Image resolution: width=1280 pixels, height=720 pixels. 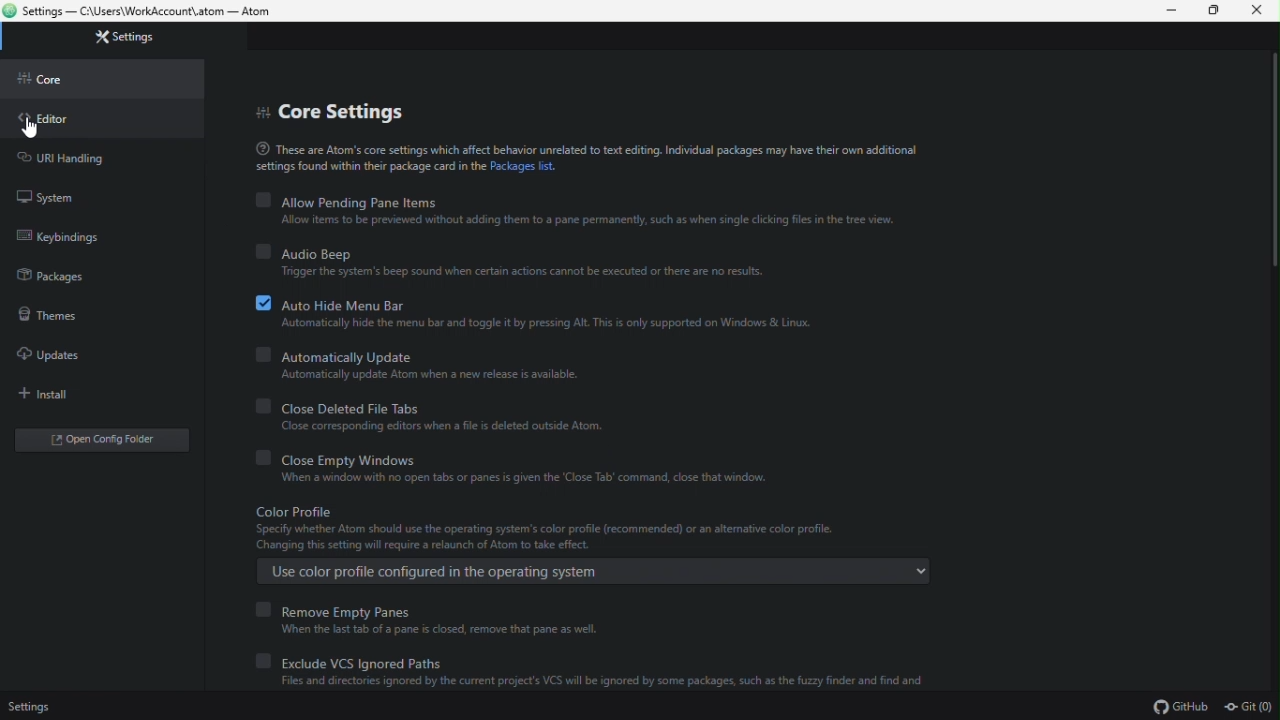 I want to click on Automatically update Atom when a new release is available., so click(x=436, y=377).